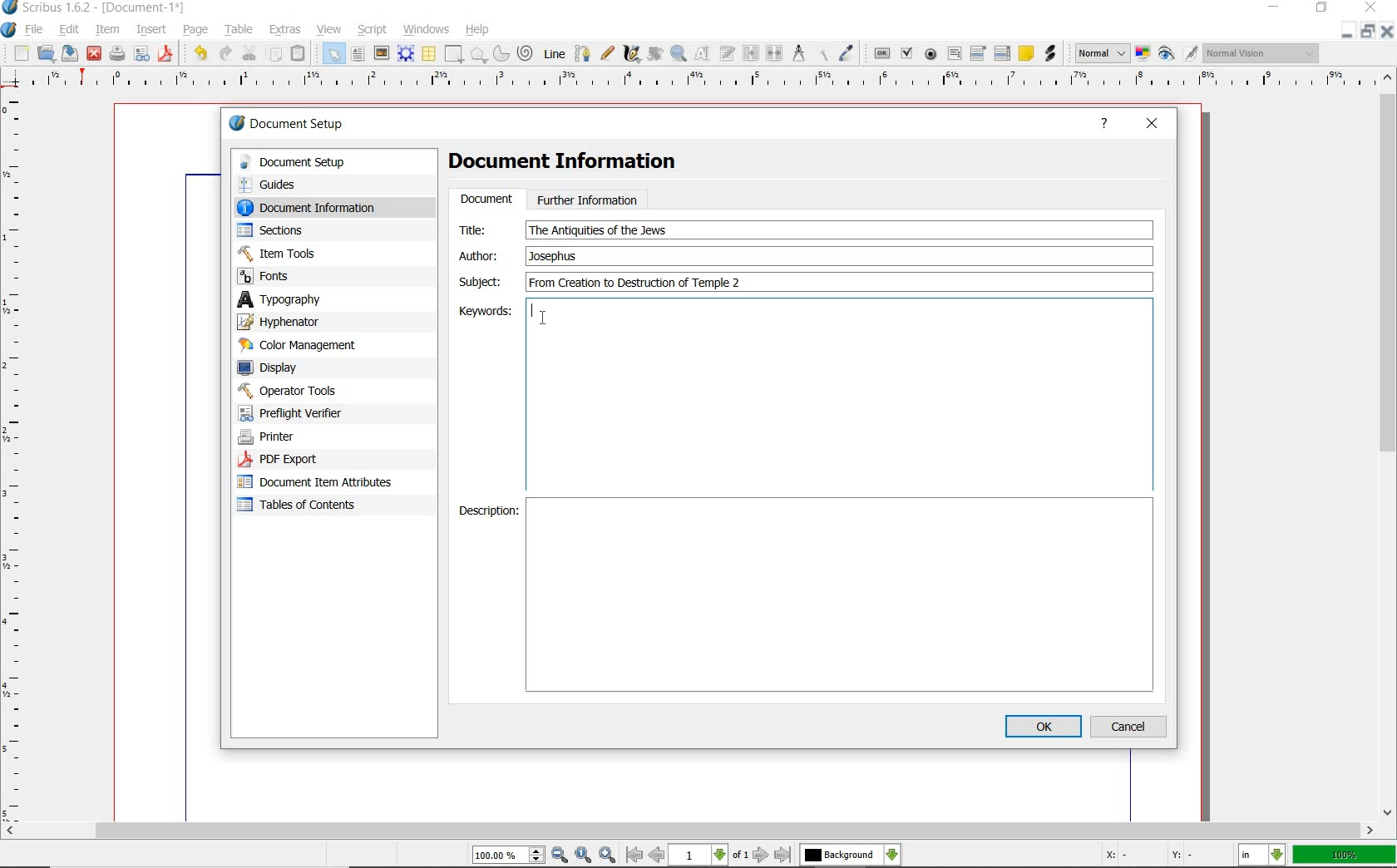 Image resolution: width=1397 pixels, height=868 pixels. Describe the element at coordinates (705, 83) in the screenshot. I see `ruler` at that location.